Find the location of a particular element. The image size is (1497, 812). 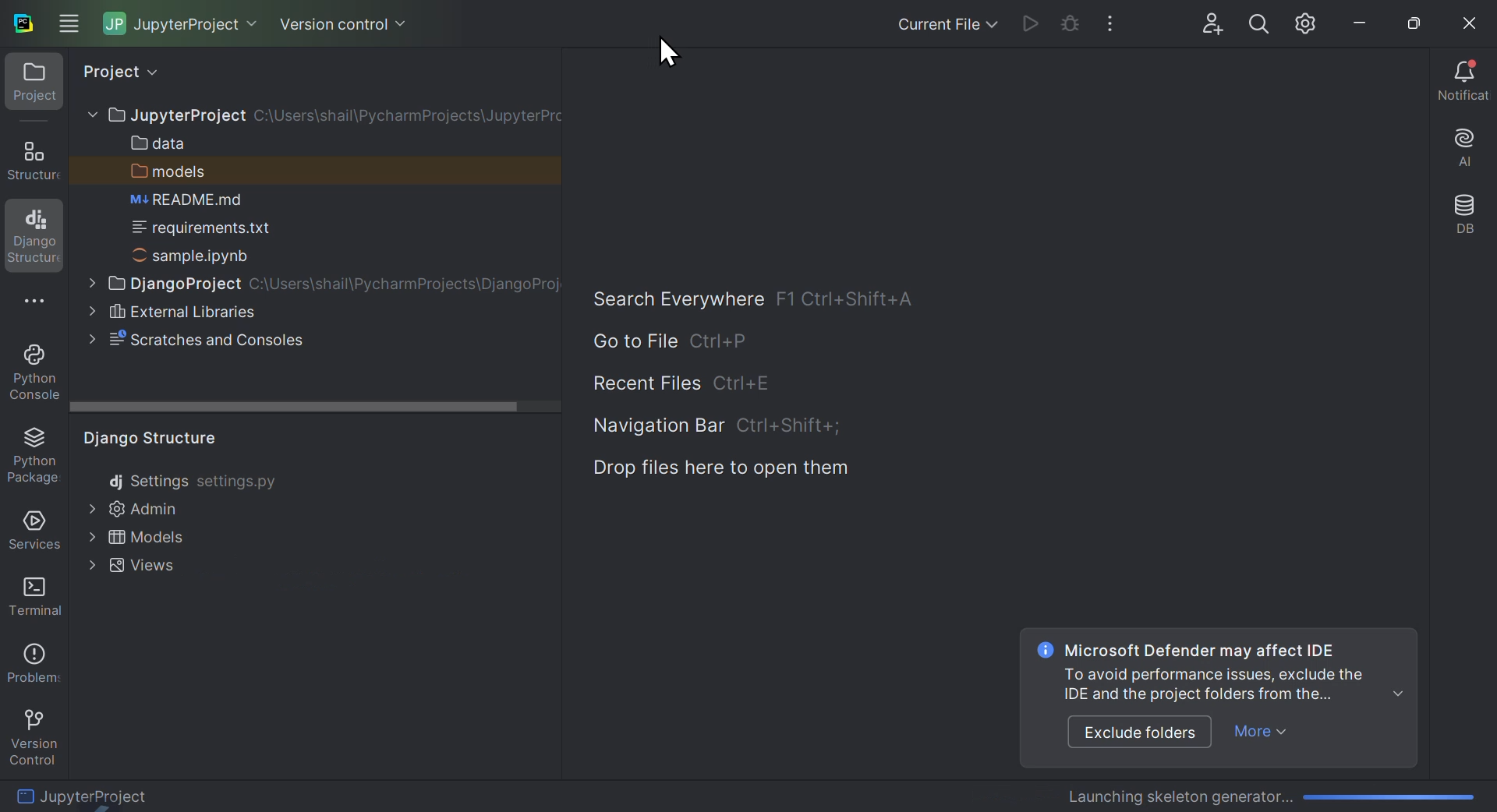

Views is located at coordinates (127, 573).